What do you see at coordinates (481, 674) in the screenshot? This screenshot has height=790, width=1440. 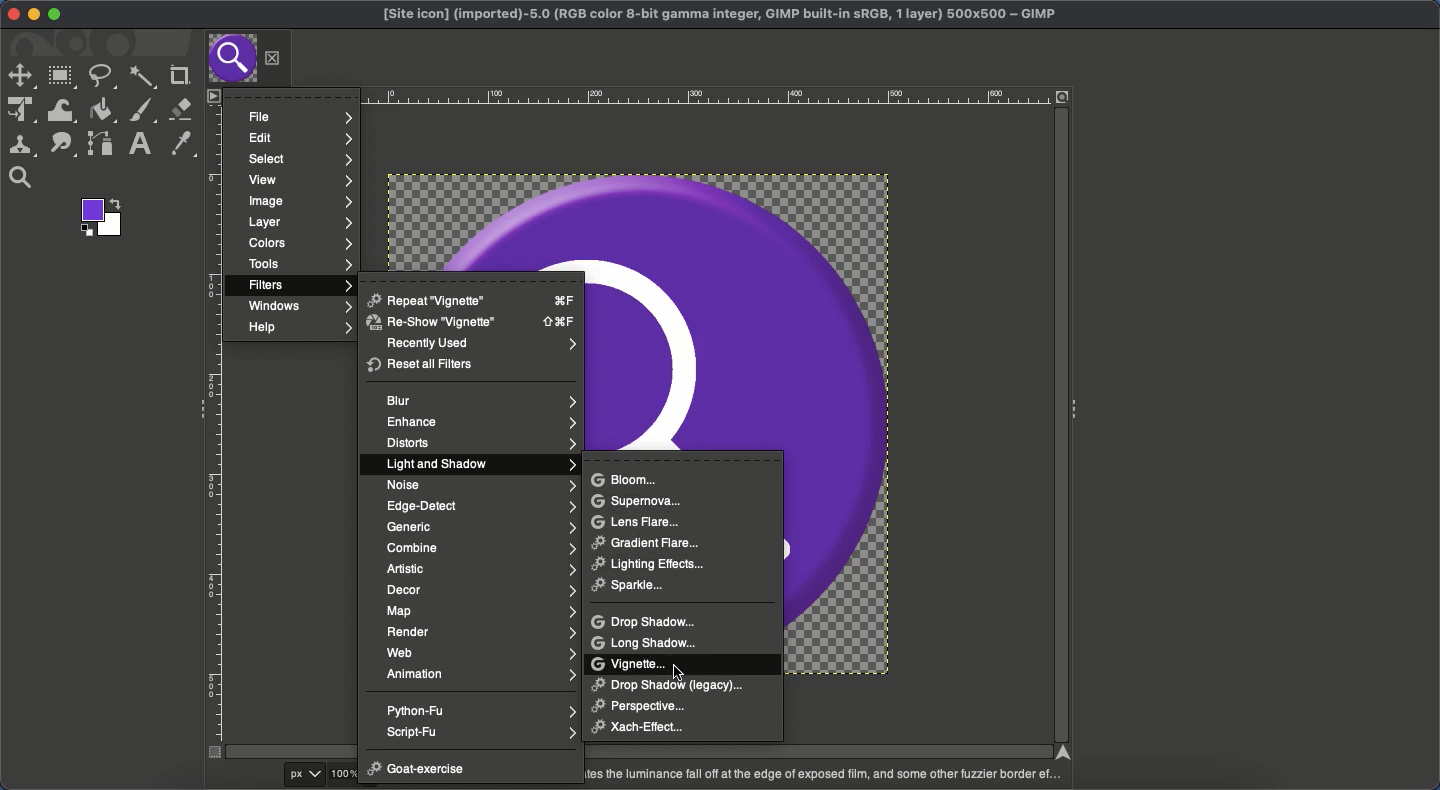 I see `Animation` at bounding box center [481, 674].